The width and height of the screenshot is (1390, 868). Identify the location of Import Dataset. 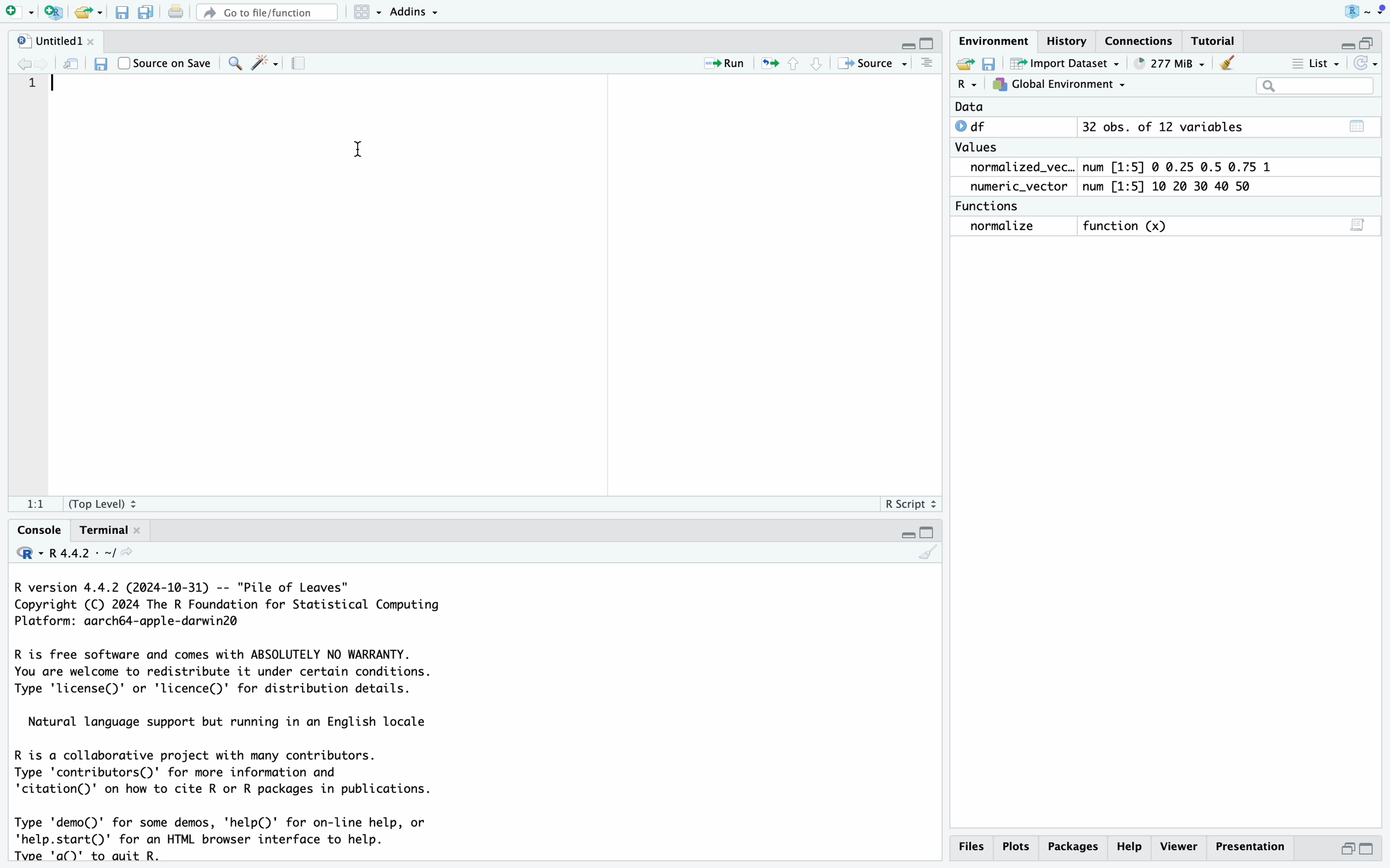
(1062, 64).